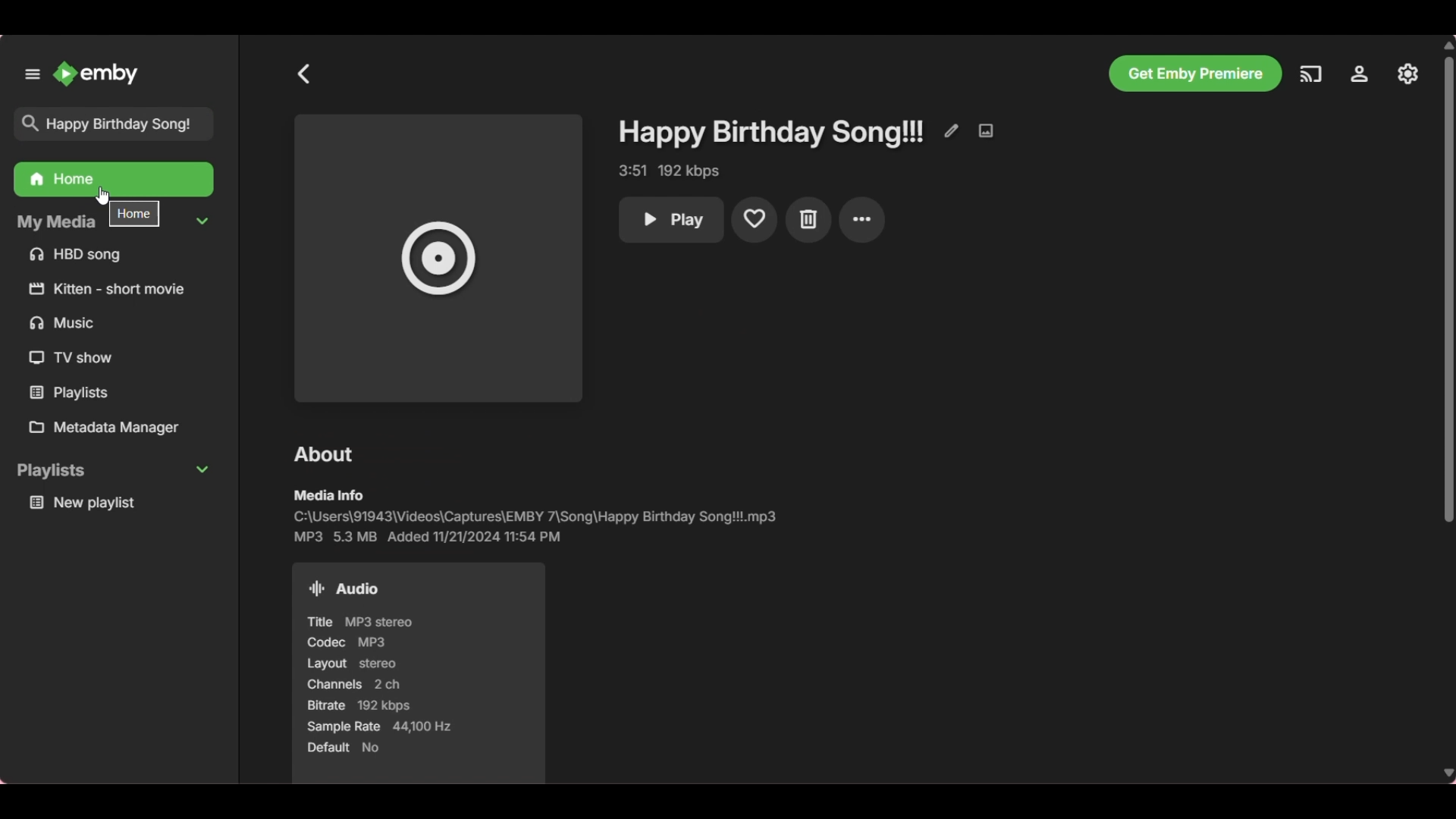  Describe the element at coordinates (97, 74) in the screenshot. I see ` Emby` at that location.